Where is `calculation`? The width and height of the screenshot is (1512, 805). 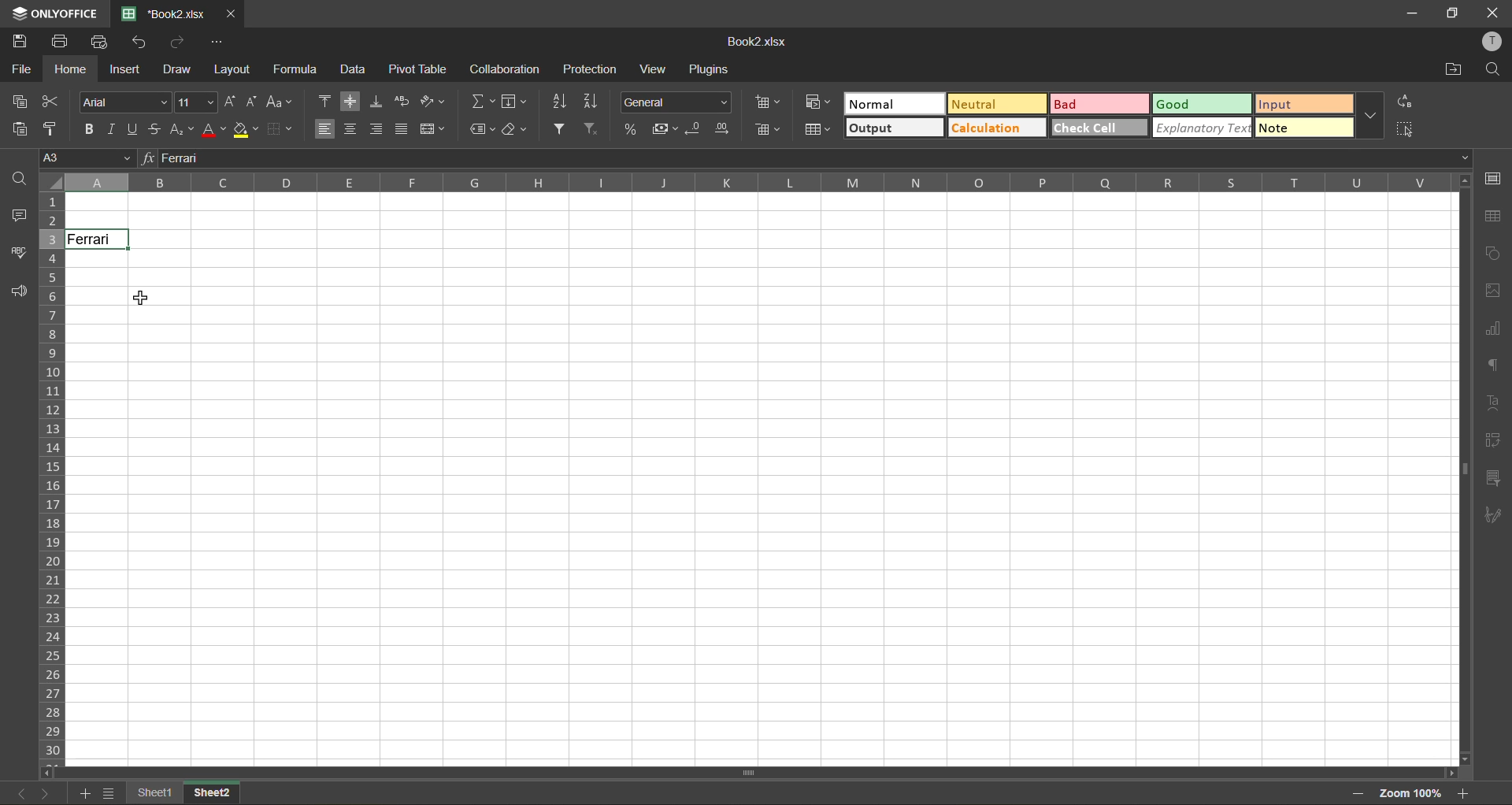 calculation is located at coordinates (996, 127).